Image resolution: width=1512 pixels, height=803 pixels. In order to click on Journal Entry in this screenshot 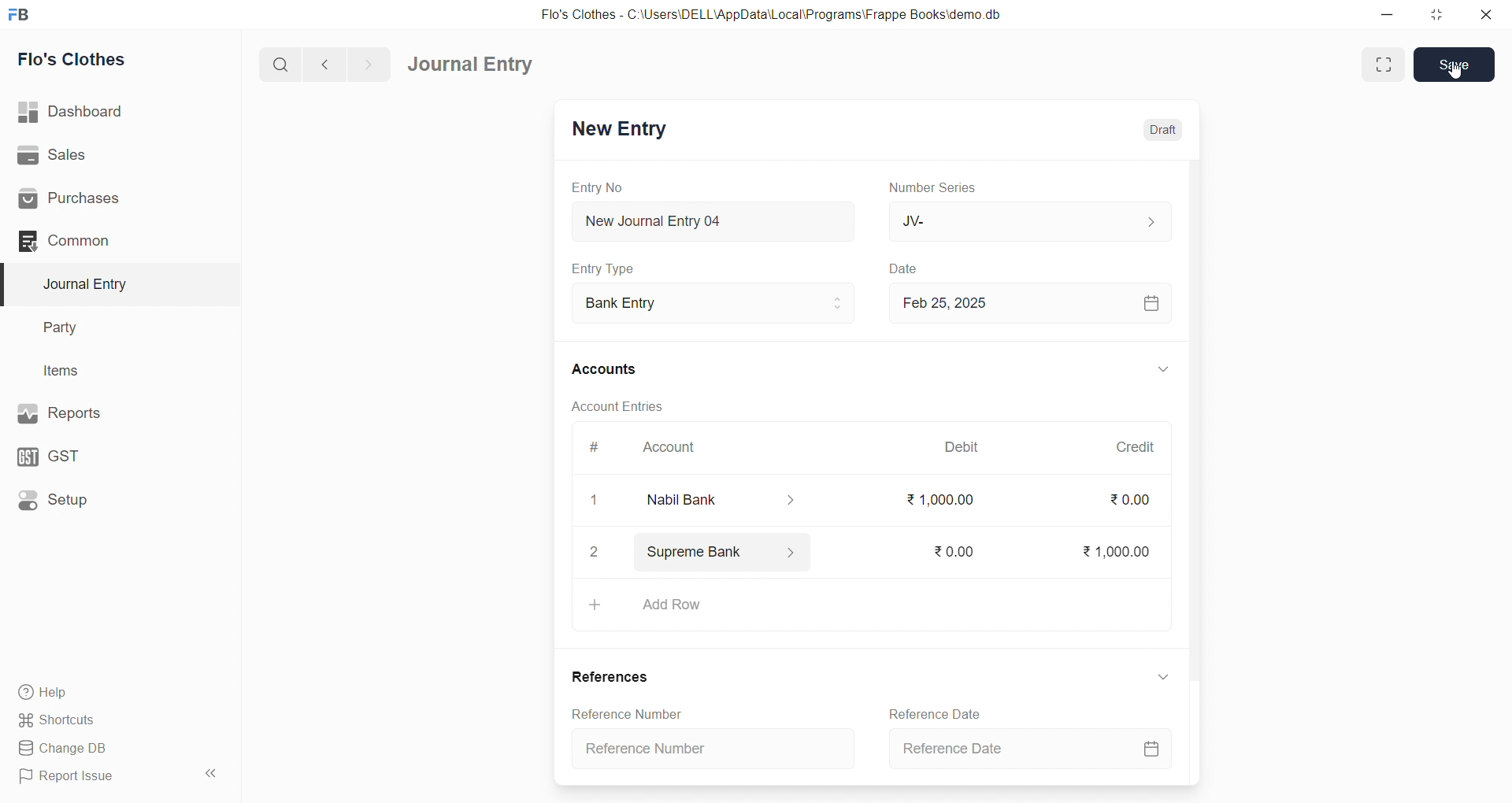, I will do `click(476, 65)`.